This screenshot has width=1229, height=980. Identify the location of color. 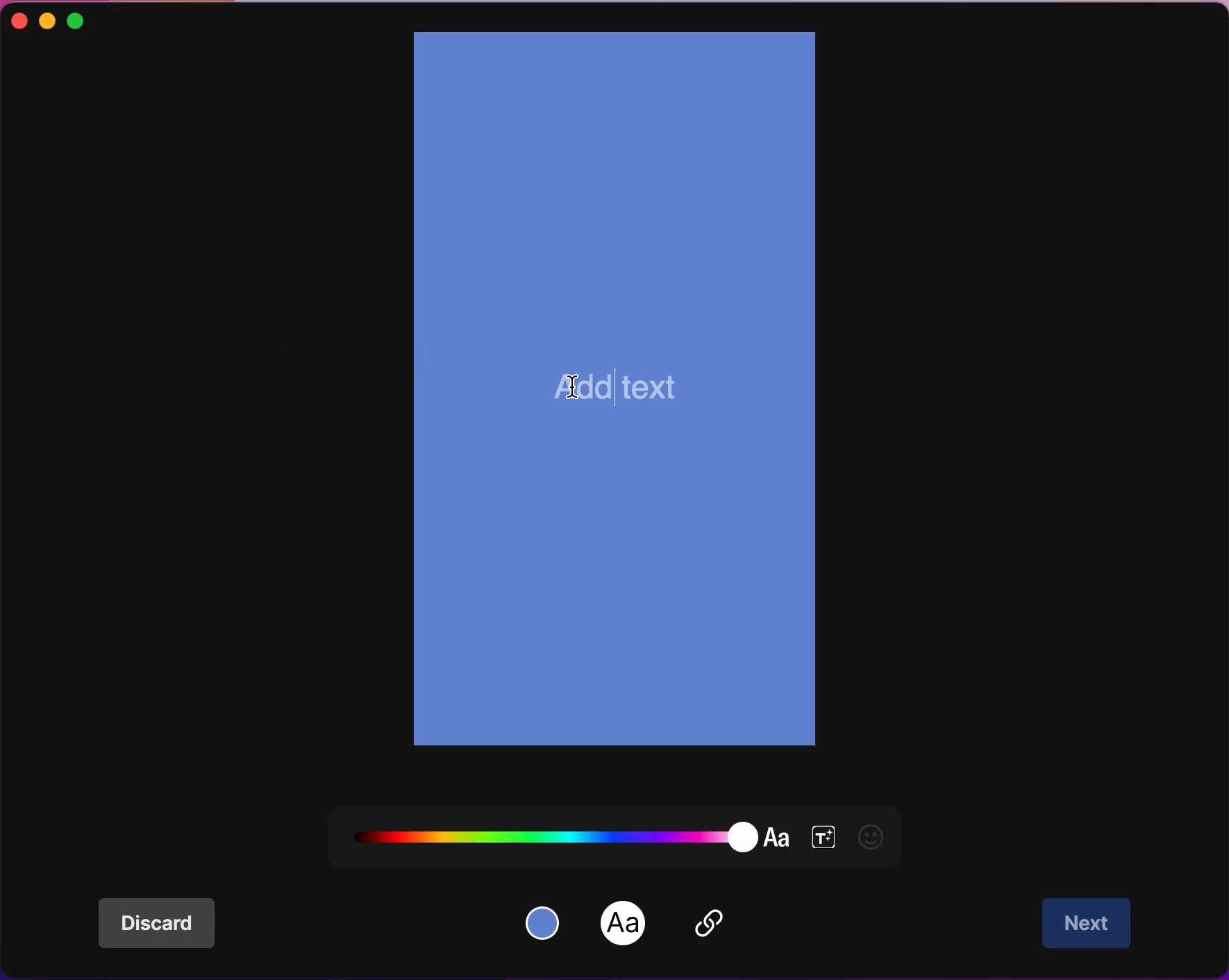
(546, 921).